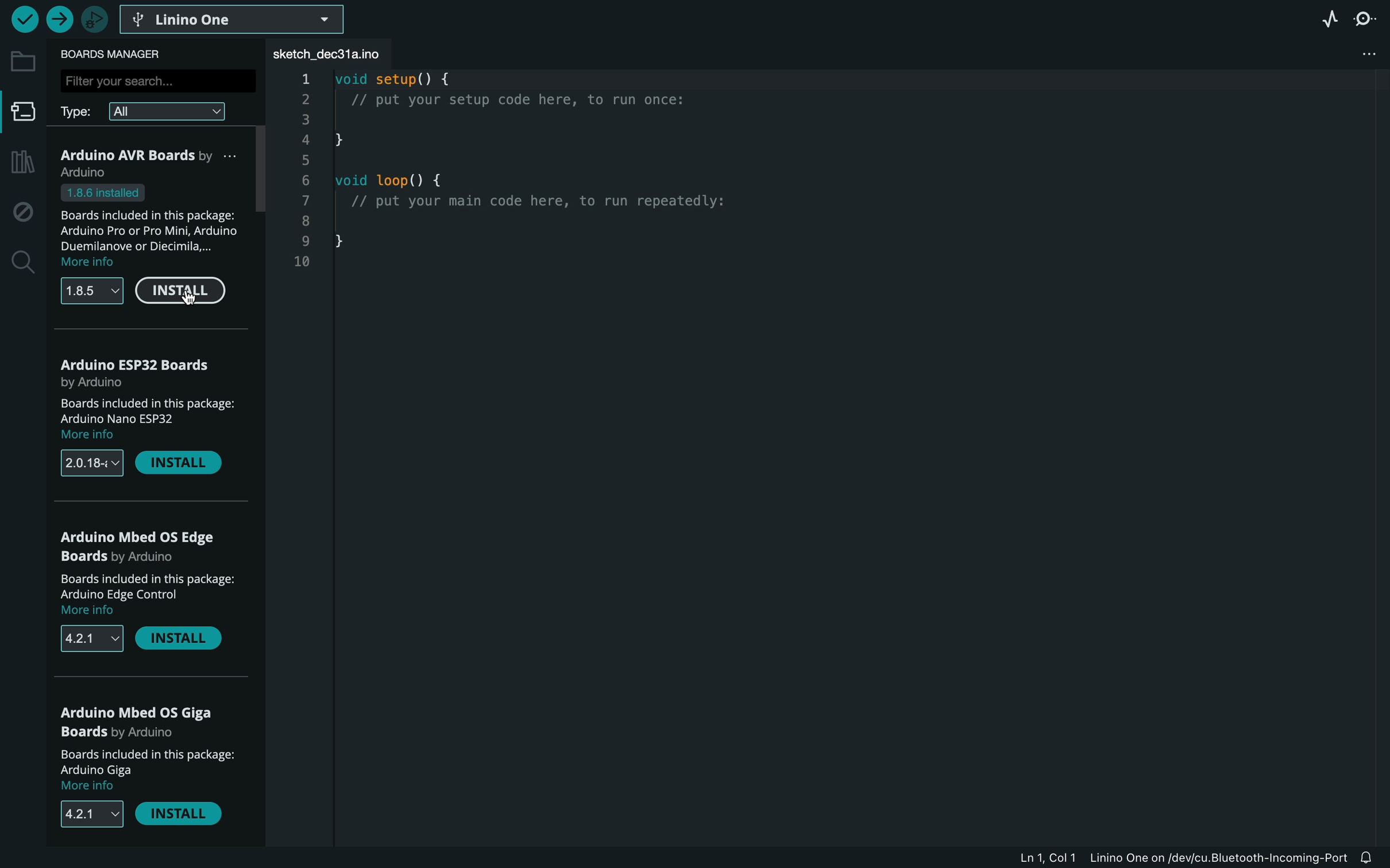 The width and height of the screenshot is (1390, 868). Describe the element at coordinates (118, 54) in the screenshot. I see `board manager` at that location.